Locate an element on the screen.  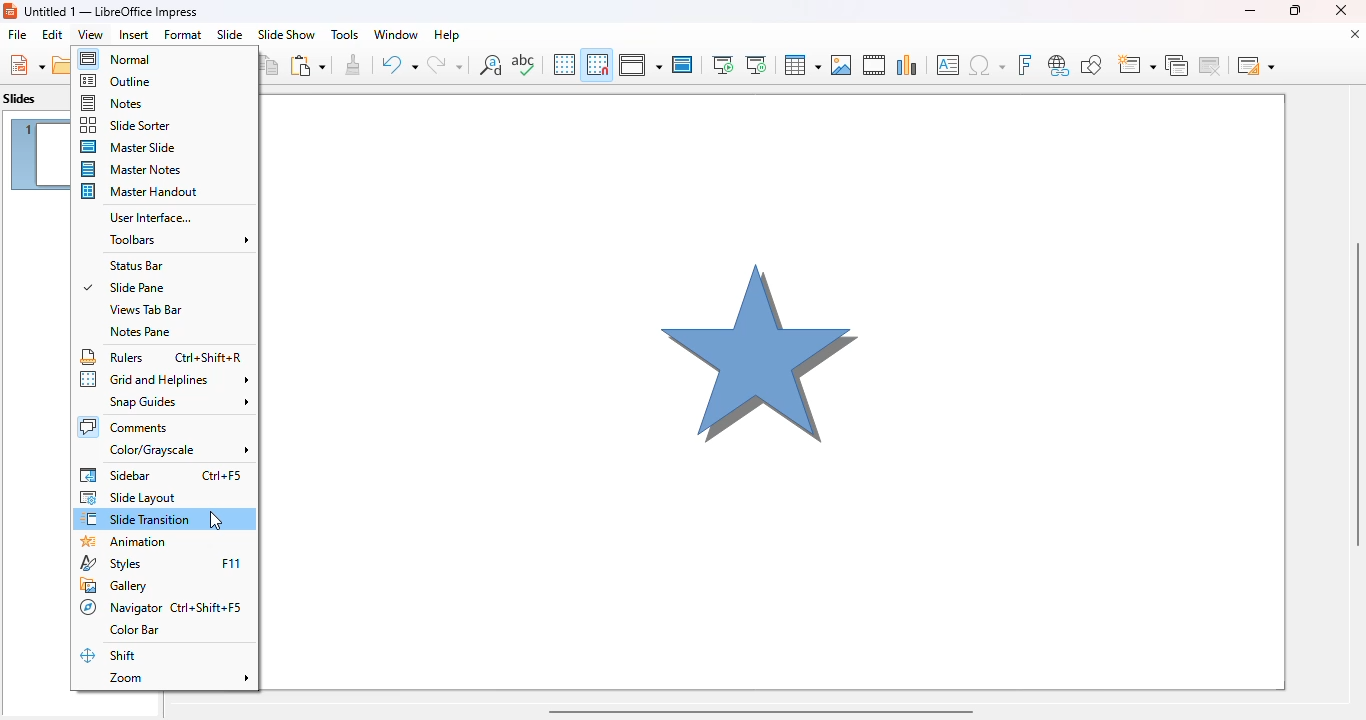
views tab bar is located at coordinates (145, 309).